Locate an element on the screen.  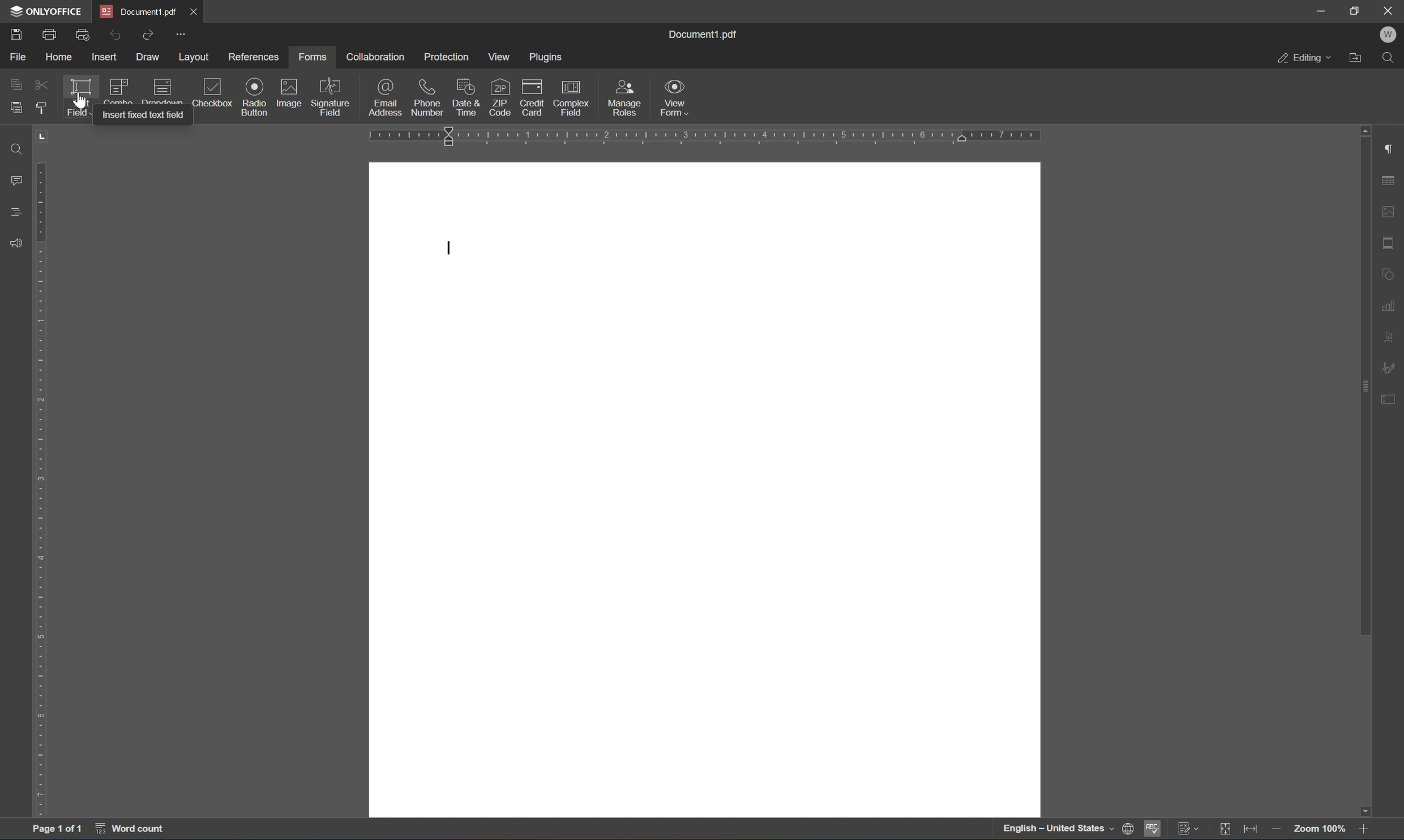
word count is located at coordinates (127, 828).